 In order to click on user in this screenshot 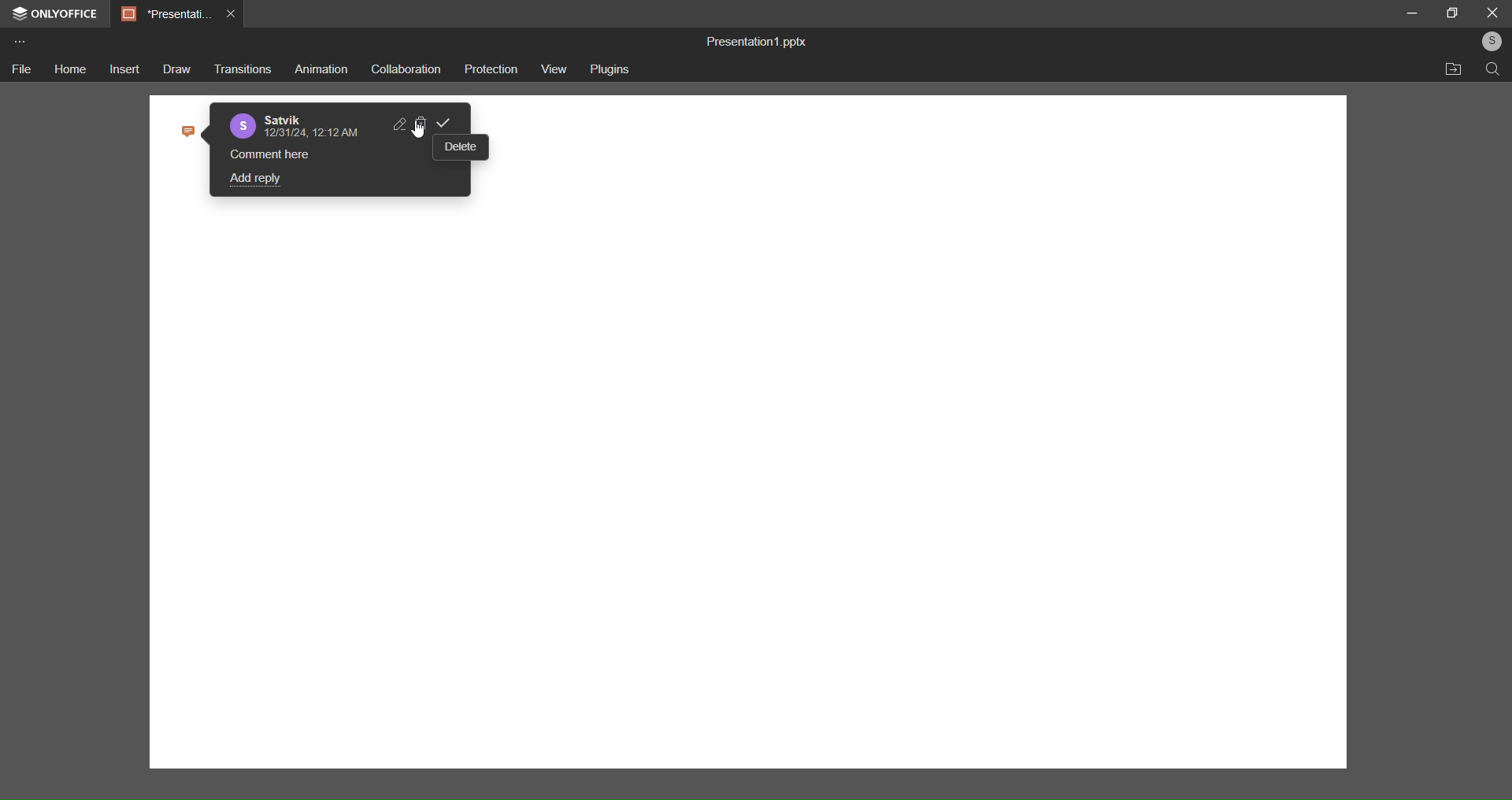, I will do `click(1488, 43)`.